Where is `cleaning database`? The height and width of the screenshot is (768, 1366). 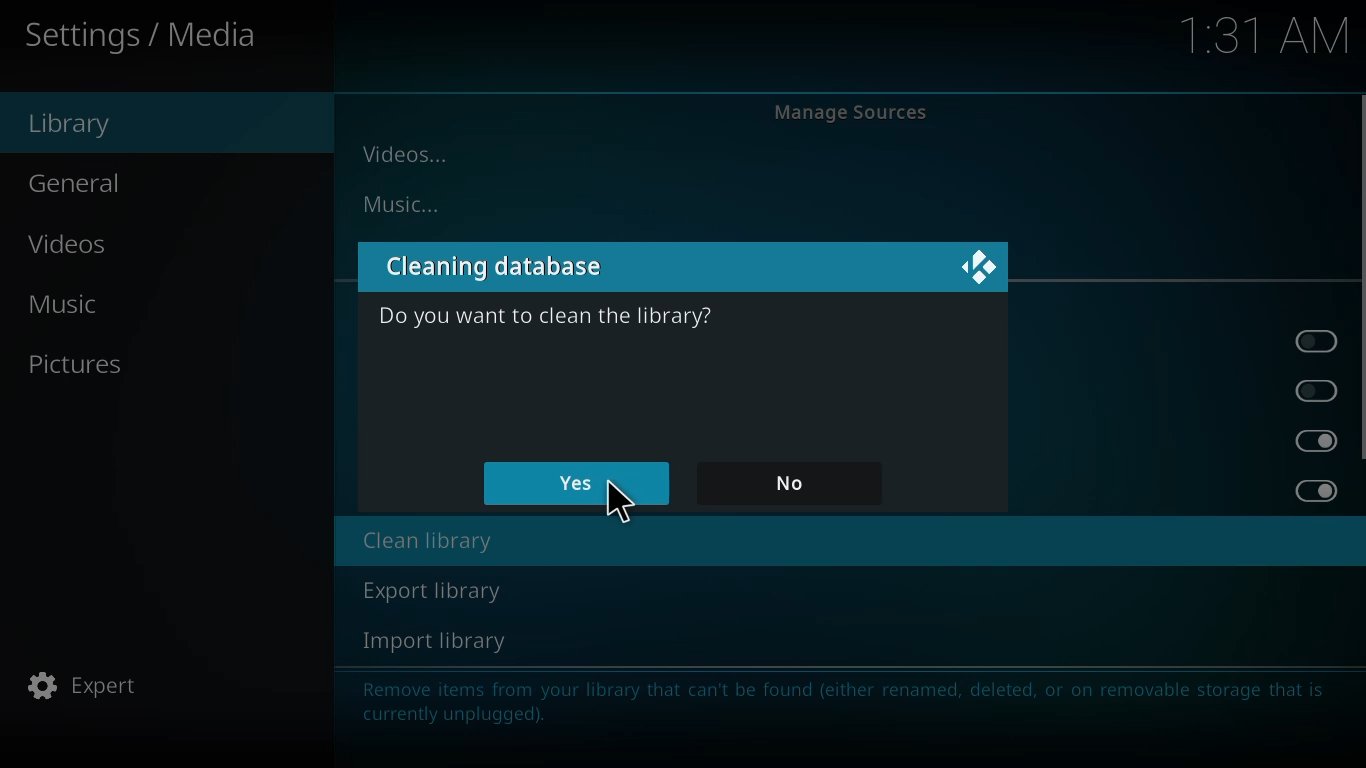
cleaning database is located at coordinates (506, 266).